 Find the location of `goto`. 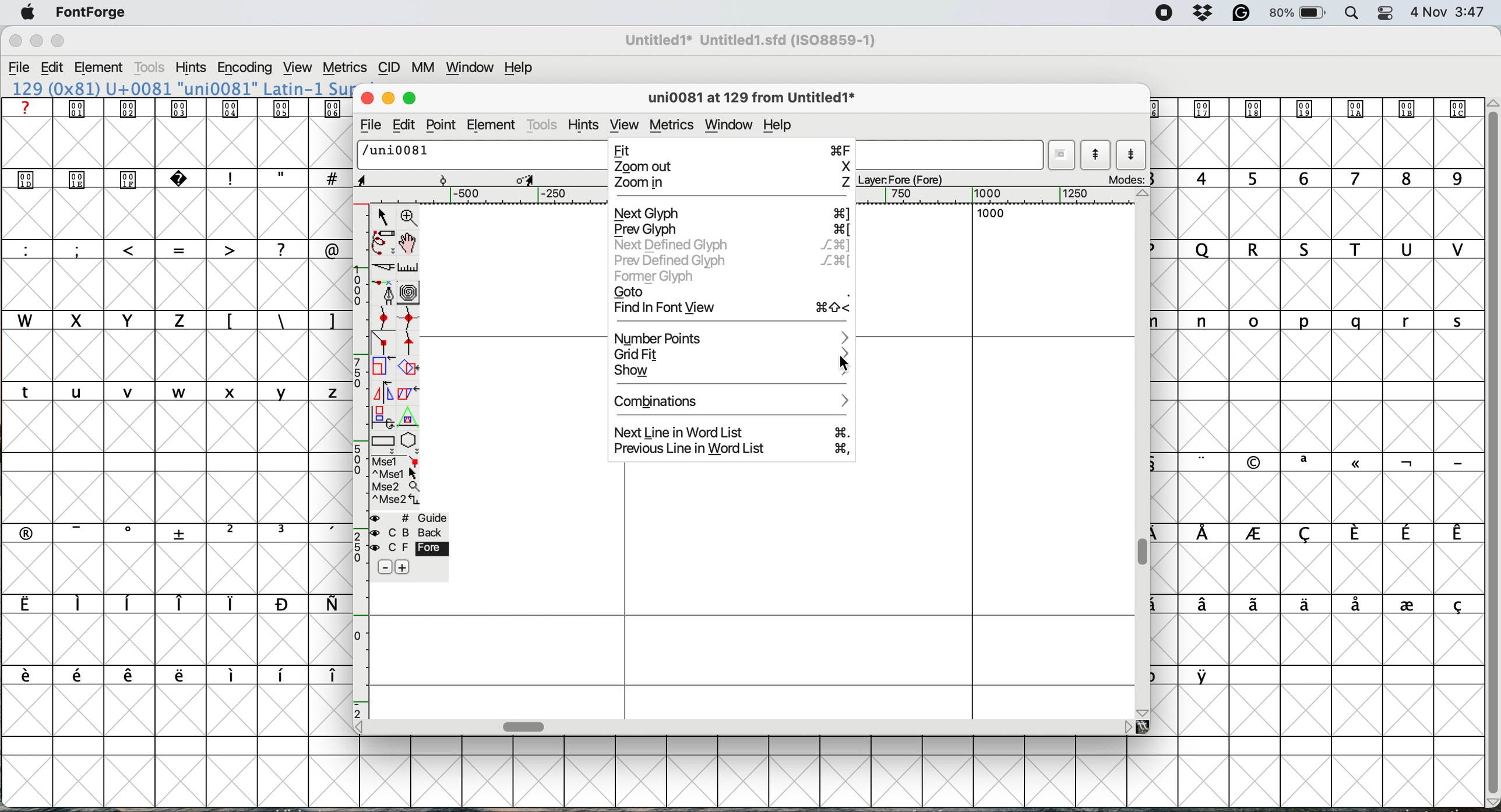

goto is located at coordinates (732, 291).